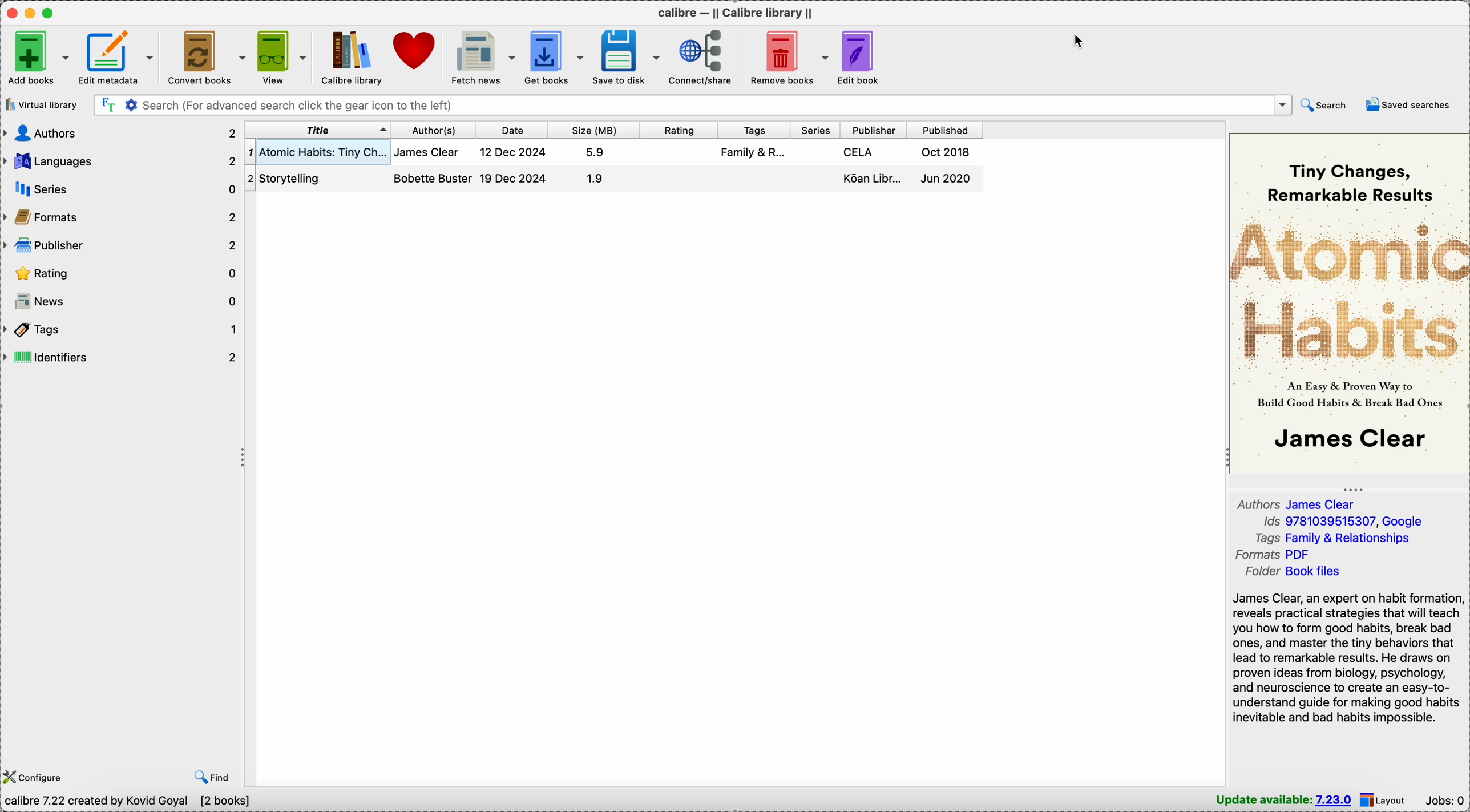 The width and height of the screenshot is (1470, 812). I want to click on size, so click(591, 130).